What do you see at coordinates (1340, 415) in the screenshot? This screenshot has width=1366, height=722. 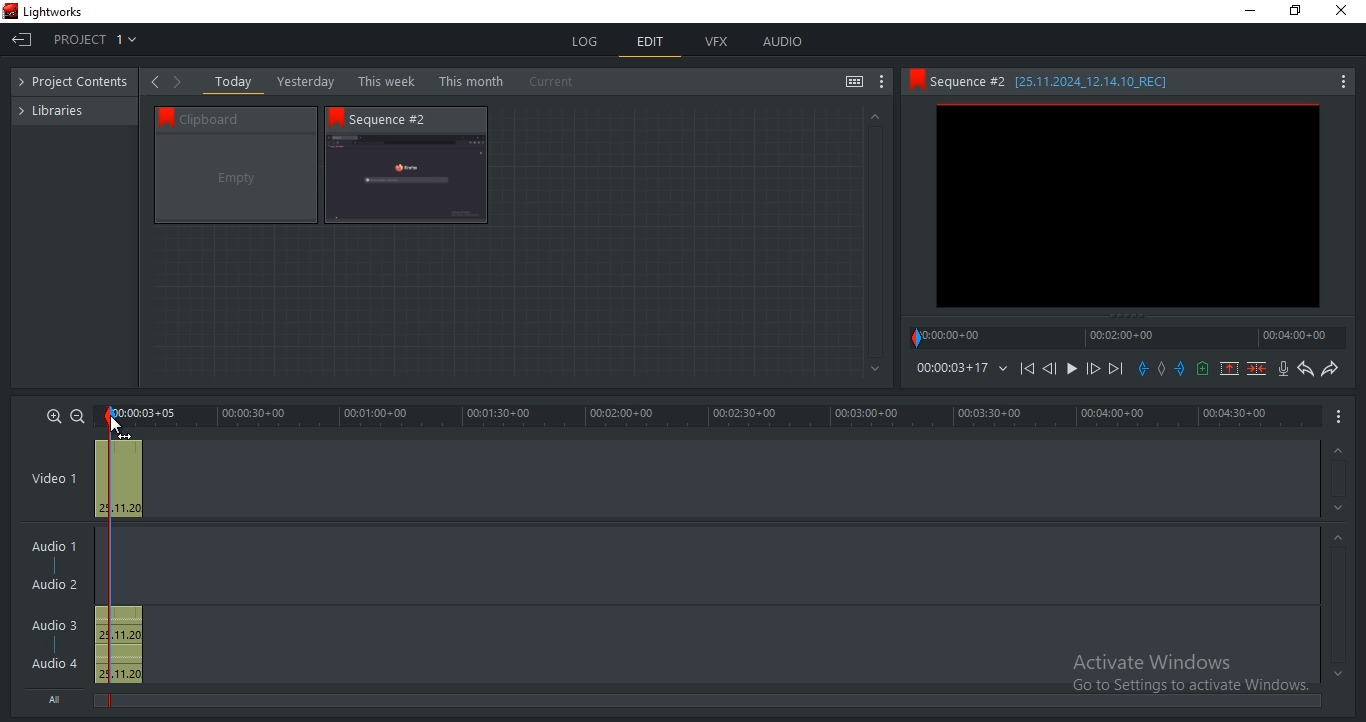 I see `show menu` at bounding box center [1340, 415].